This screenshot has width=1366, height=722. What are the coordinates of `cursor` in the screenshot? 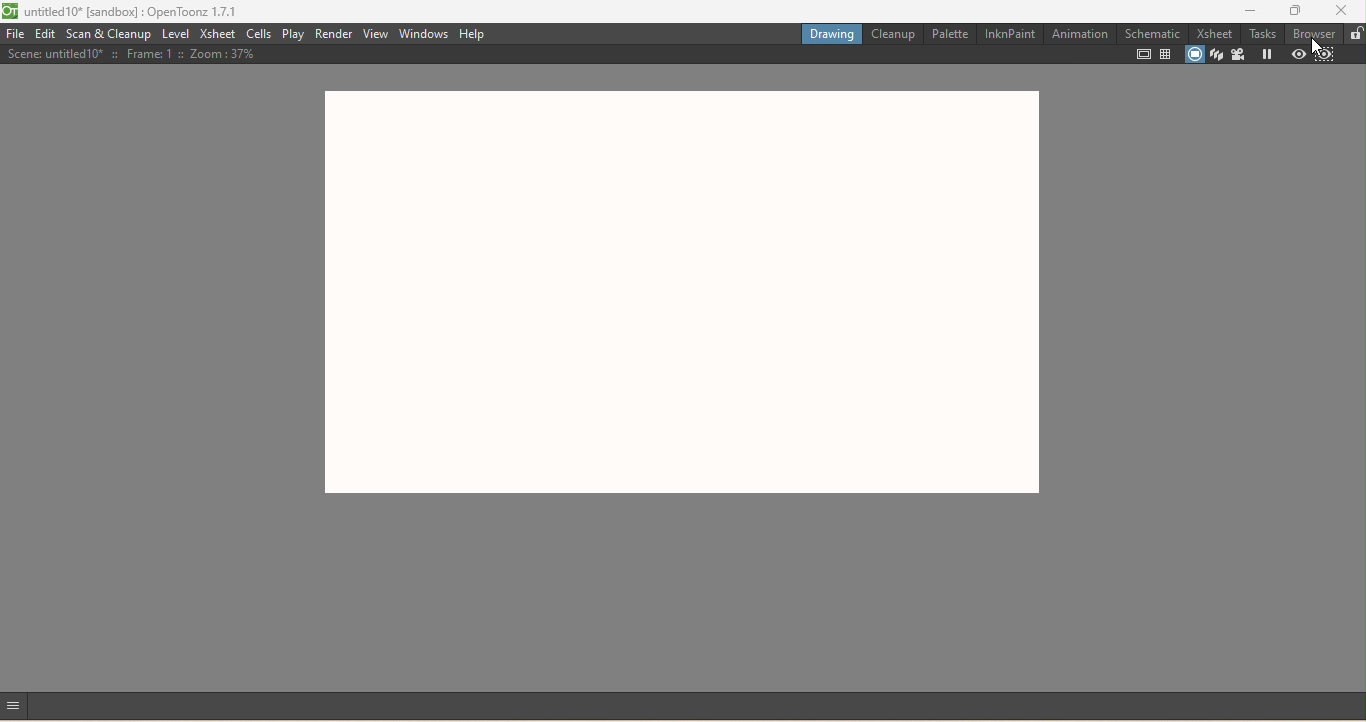 It's located at (1317, 48).